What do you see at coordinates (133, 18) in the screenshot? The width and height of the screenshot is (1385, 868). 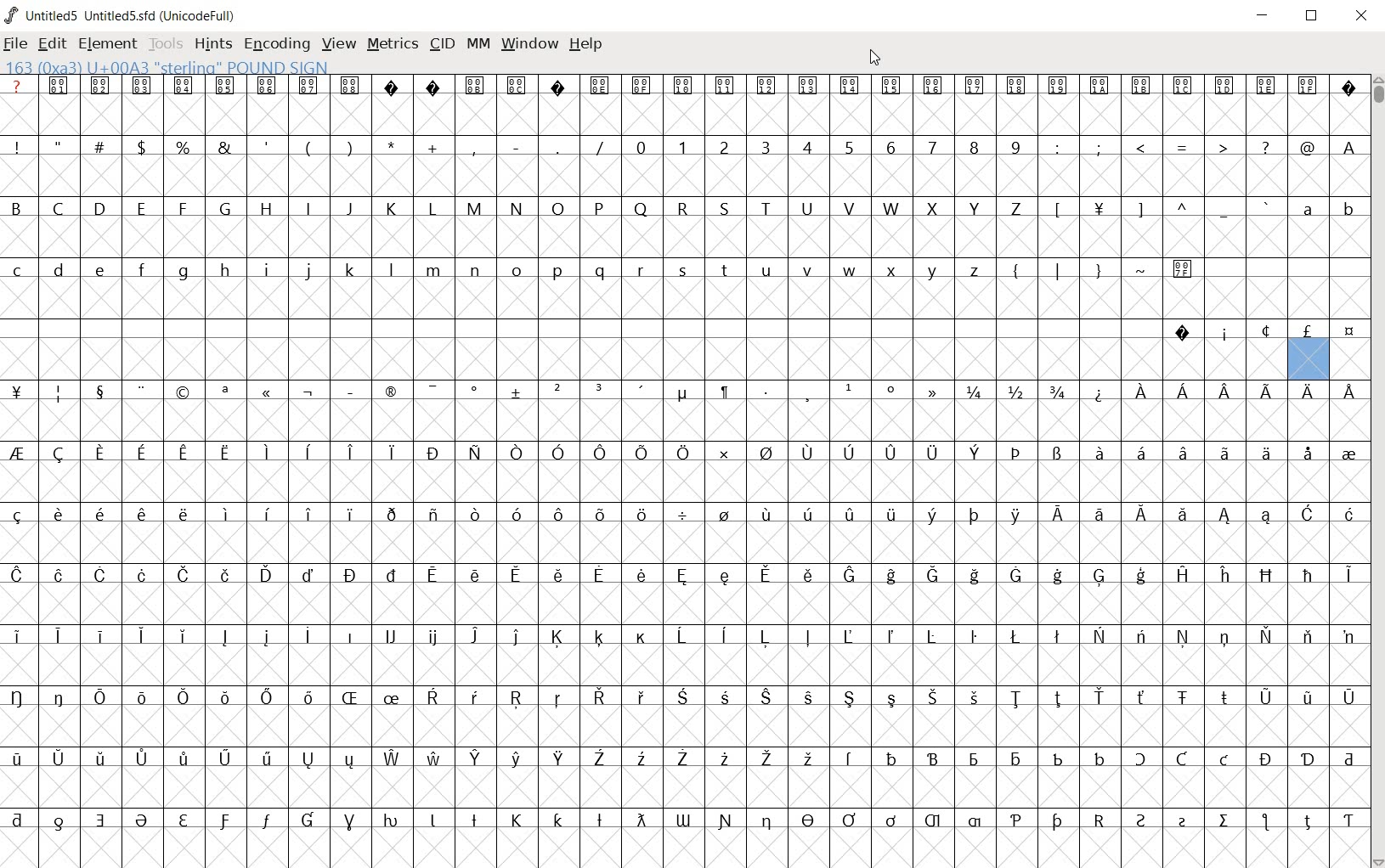 I see `Untitled5 Untitled5.sfd (UnicodeFull)` at bounding box center [133, 18].